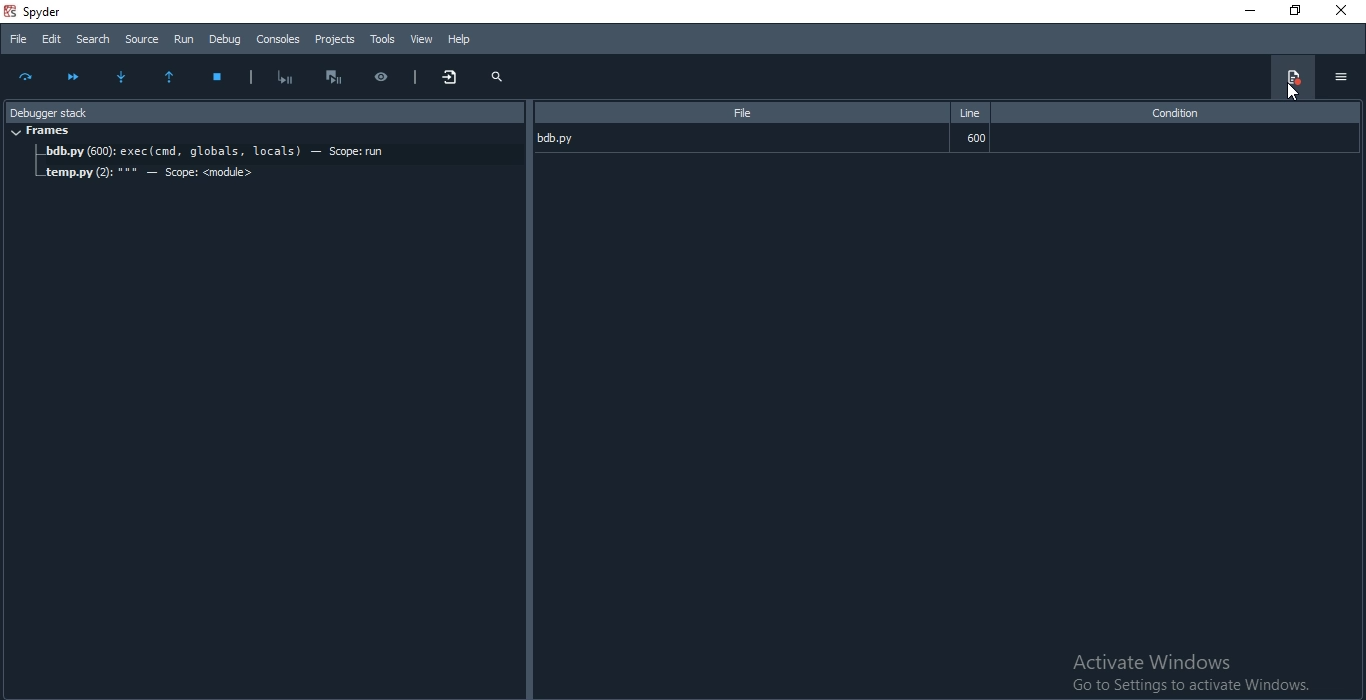 The image size is (1366, 700). What do you see at coordinates (260, 110) in the screenshot?
I see `Debugger stack Frame ` at bounding box center [260, 110].